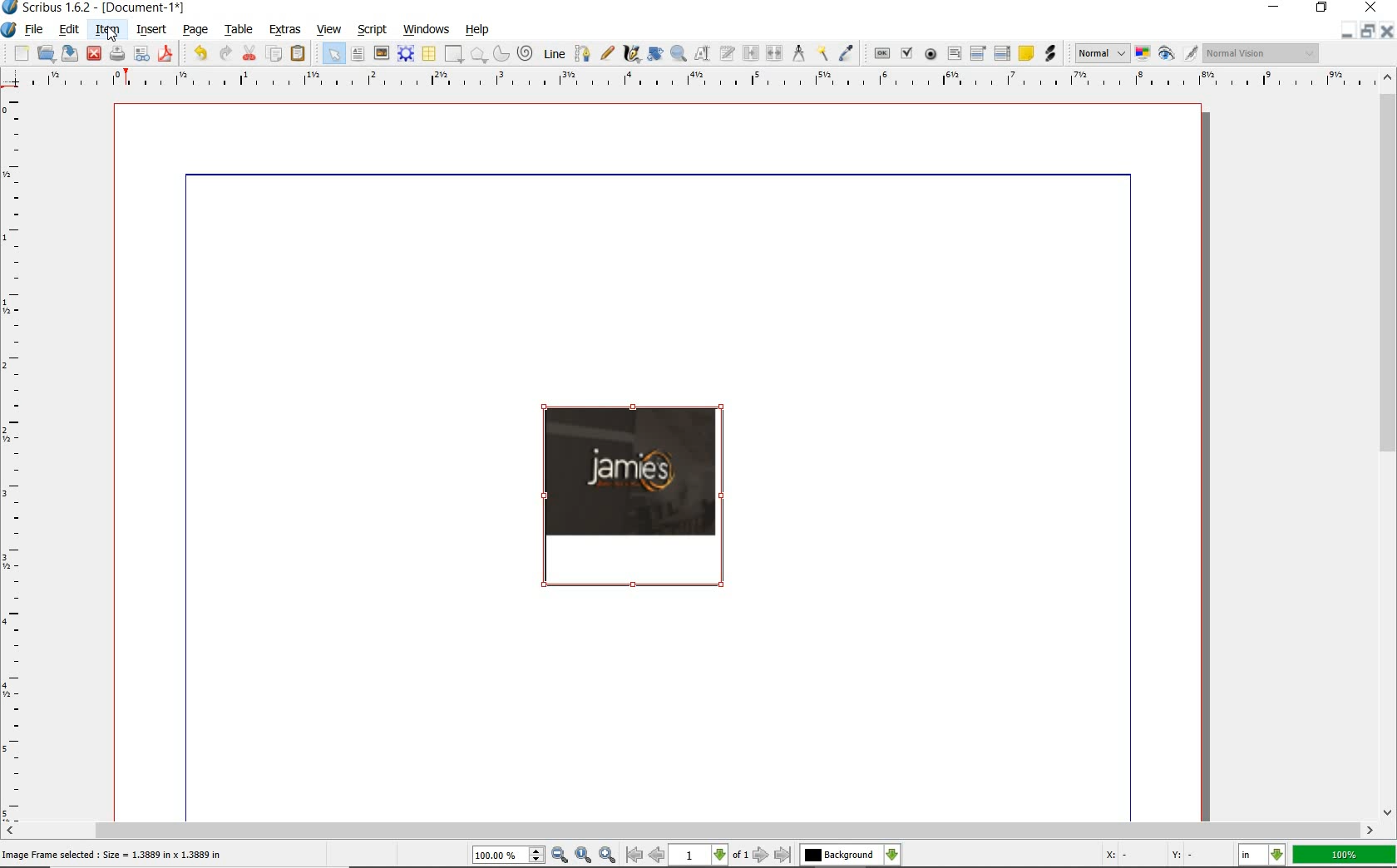  Describe the element at coordinates (1365, 31) in the screenshot. I see `Minimize` at that location.